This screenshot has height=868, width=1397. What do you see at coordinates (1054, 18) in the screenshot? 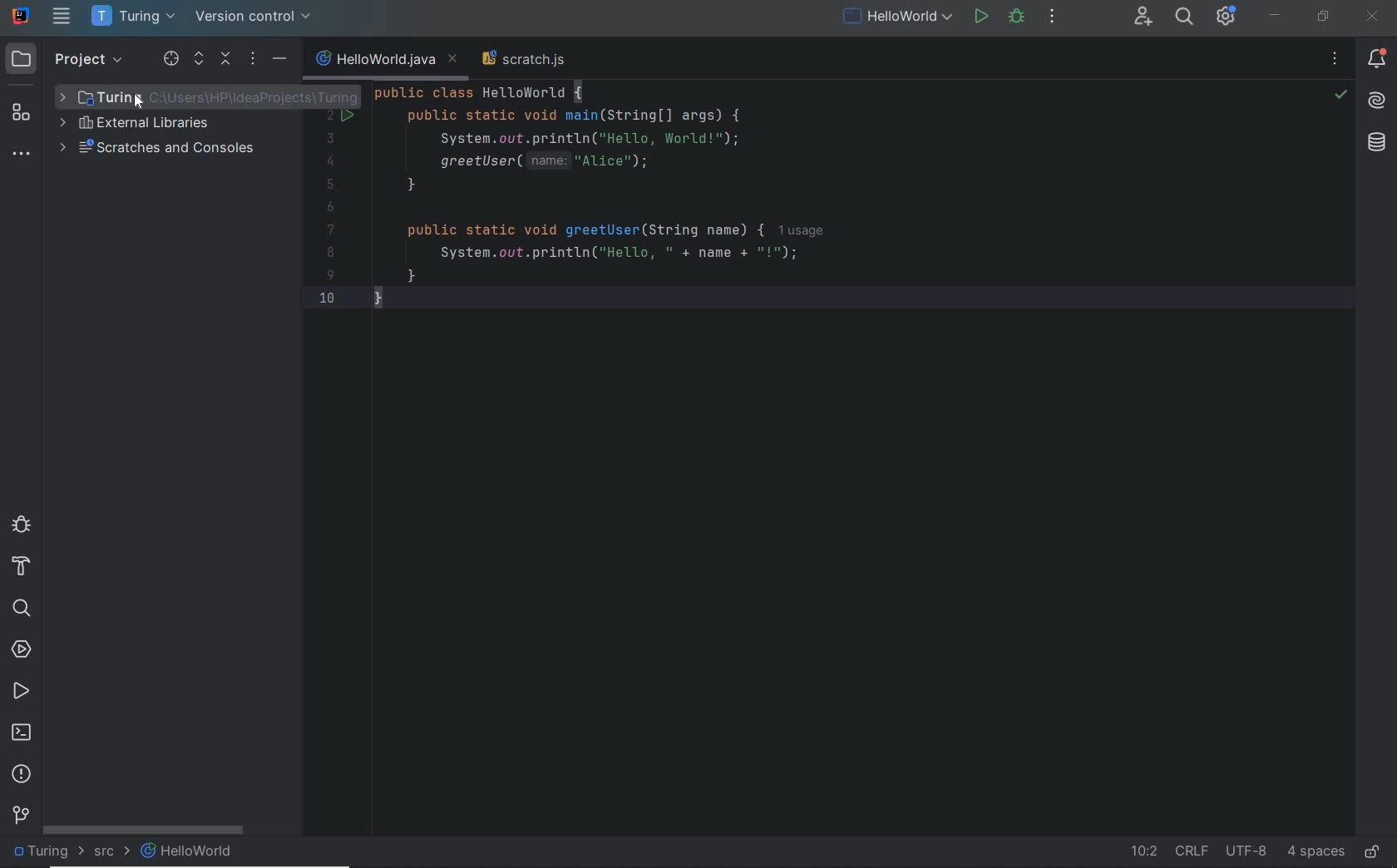
I see `more actions` at bounding box center [1054, 18].